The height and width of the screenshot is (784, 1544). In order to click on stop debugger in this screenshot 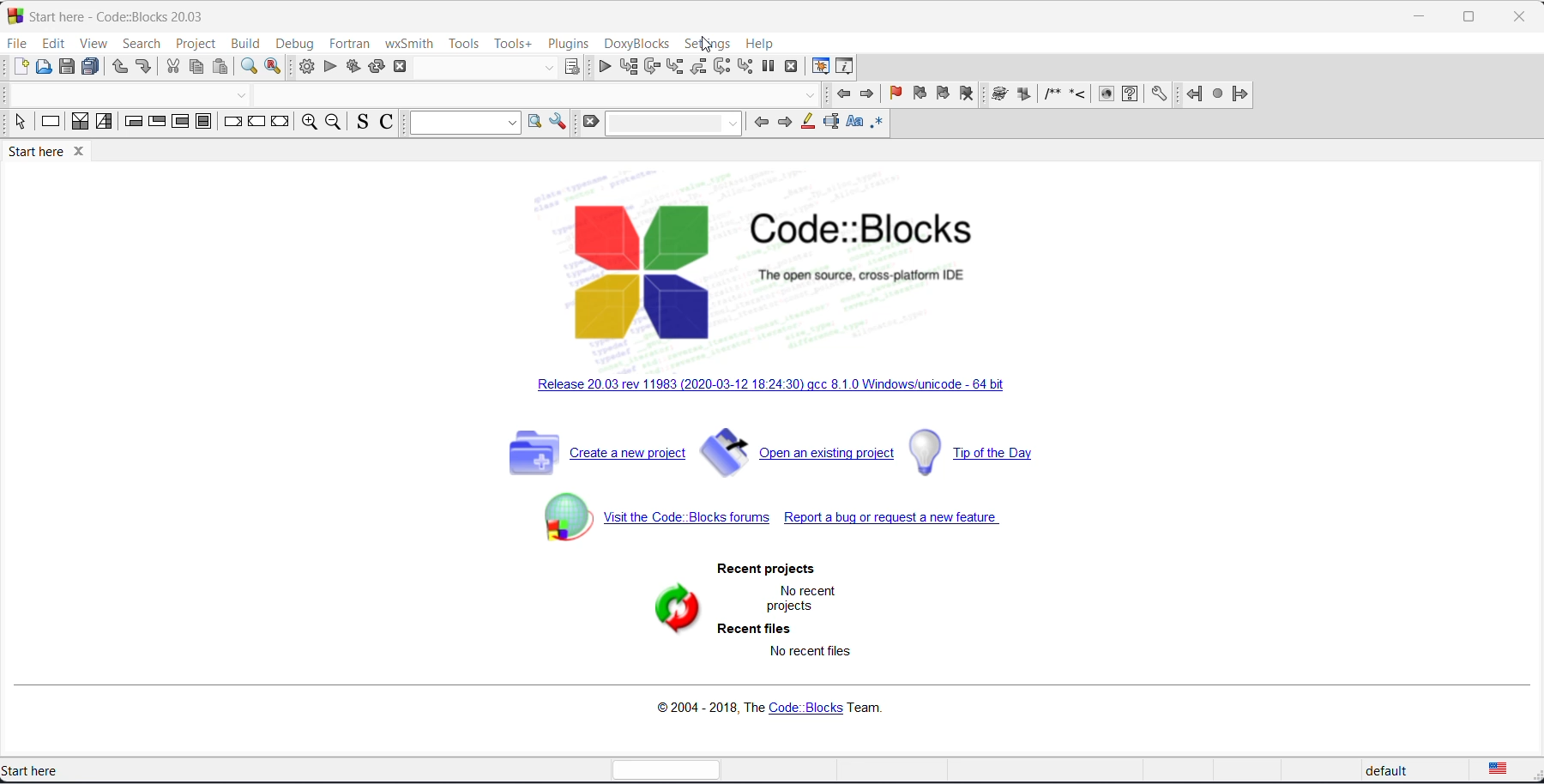, I will do `click(792, 66)`.